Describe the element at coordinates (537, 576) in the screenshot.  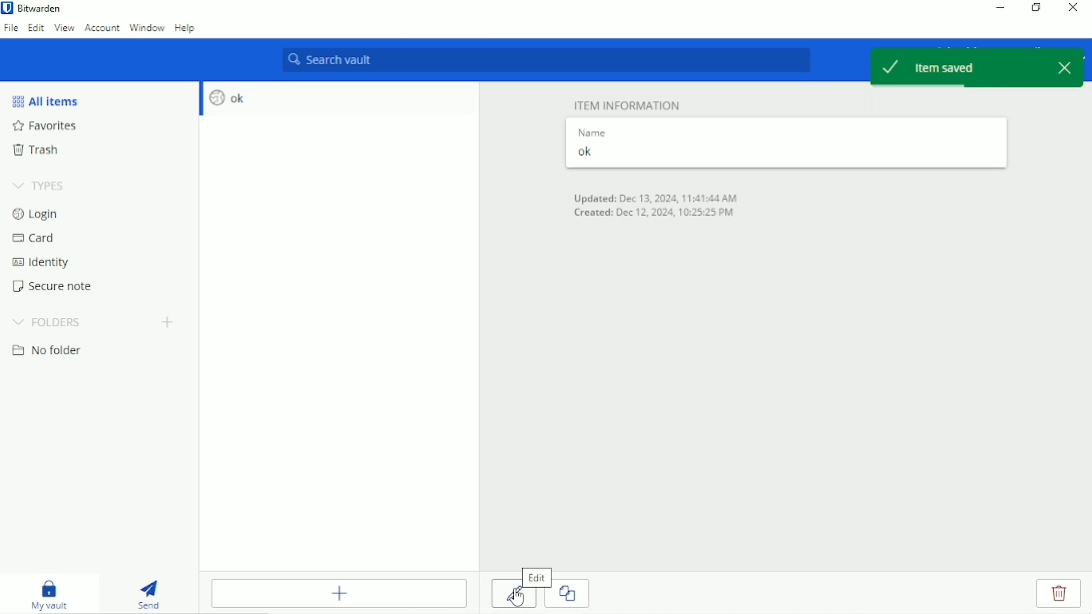
I see `Edit` at that location.